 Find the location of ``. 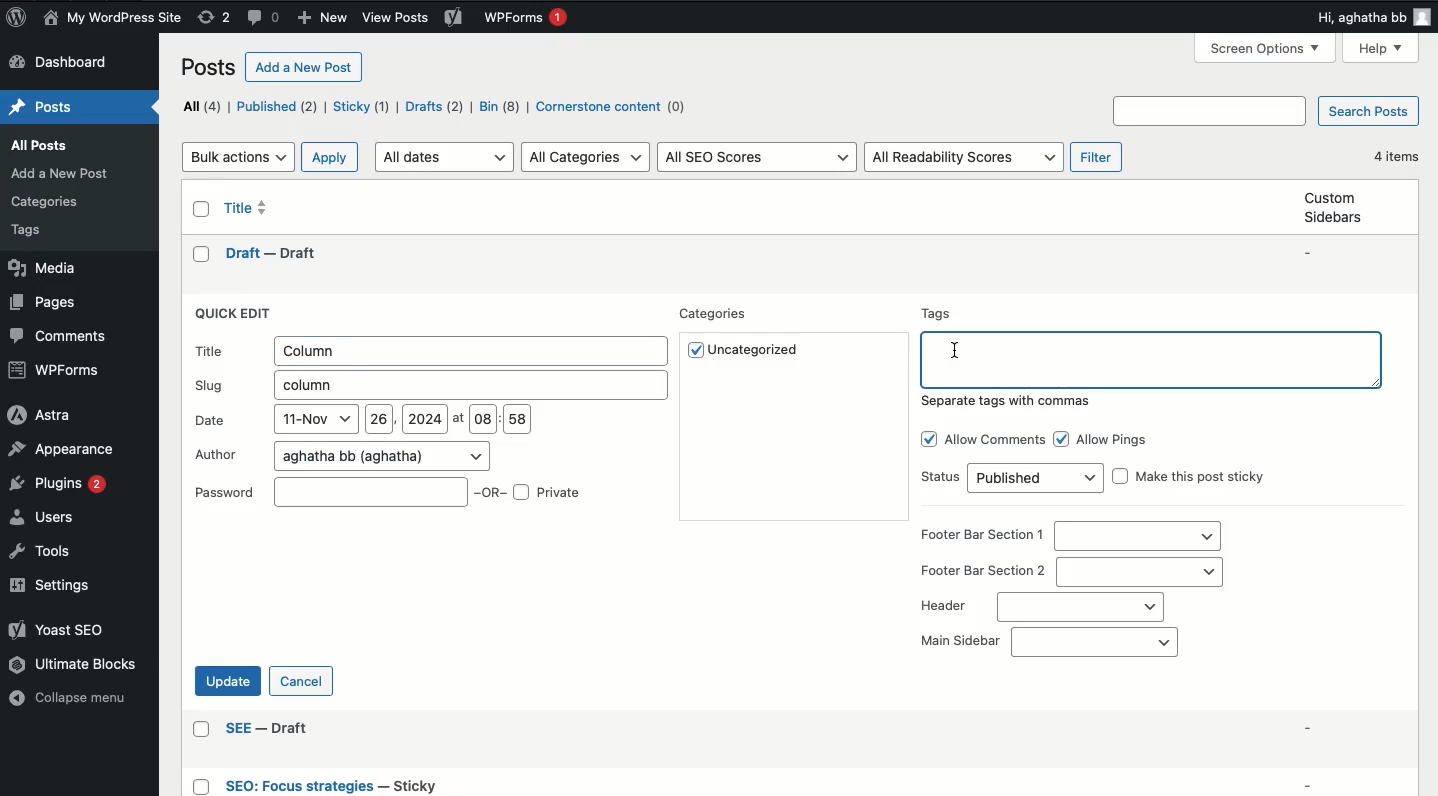

 is located at coordinates (1208, 111).